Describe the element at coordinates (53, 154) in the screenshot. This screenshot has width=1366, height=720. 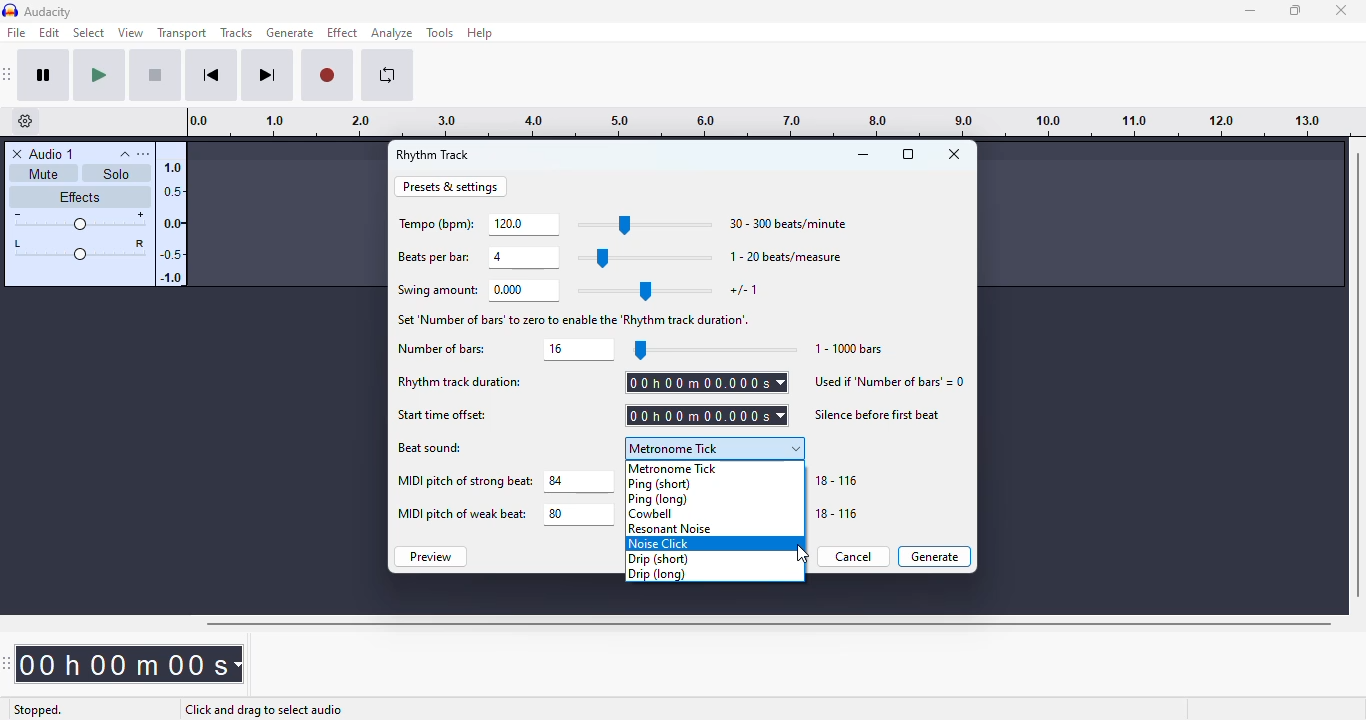
I see `audio 1` at that location.